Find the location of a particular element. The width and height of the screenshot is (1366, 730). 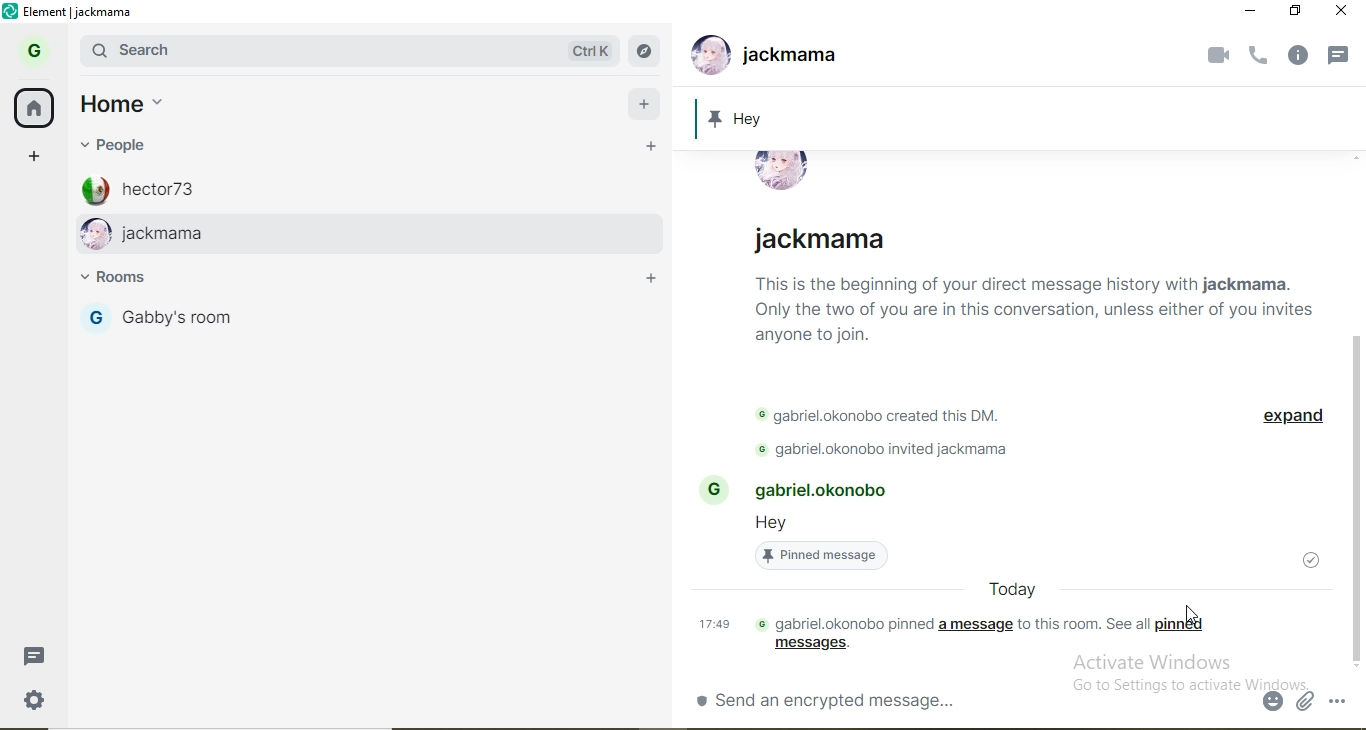

 is located at coordinates (1027, 309).